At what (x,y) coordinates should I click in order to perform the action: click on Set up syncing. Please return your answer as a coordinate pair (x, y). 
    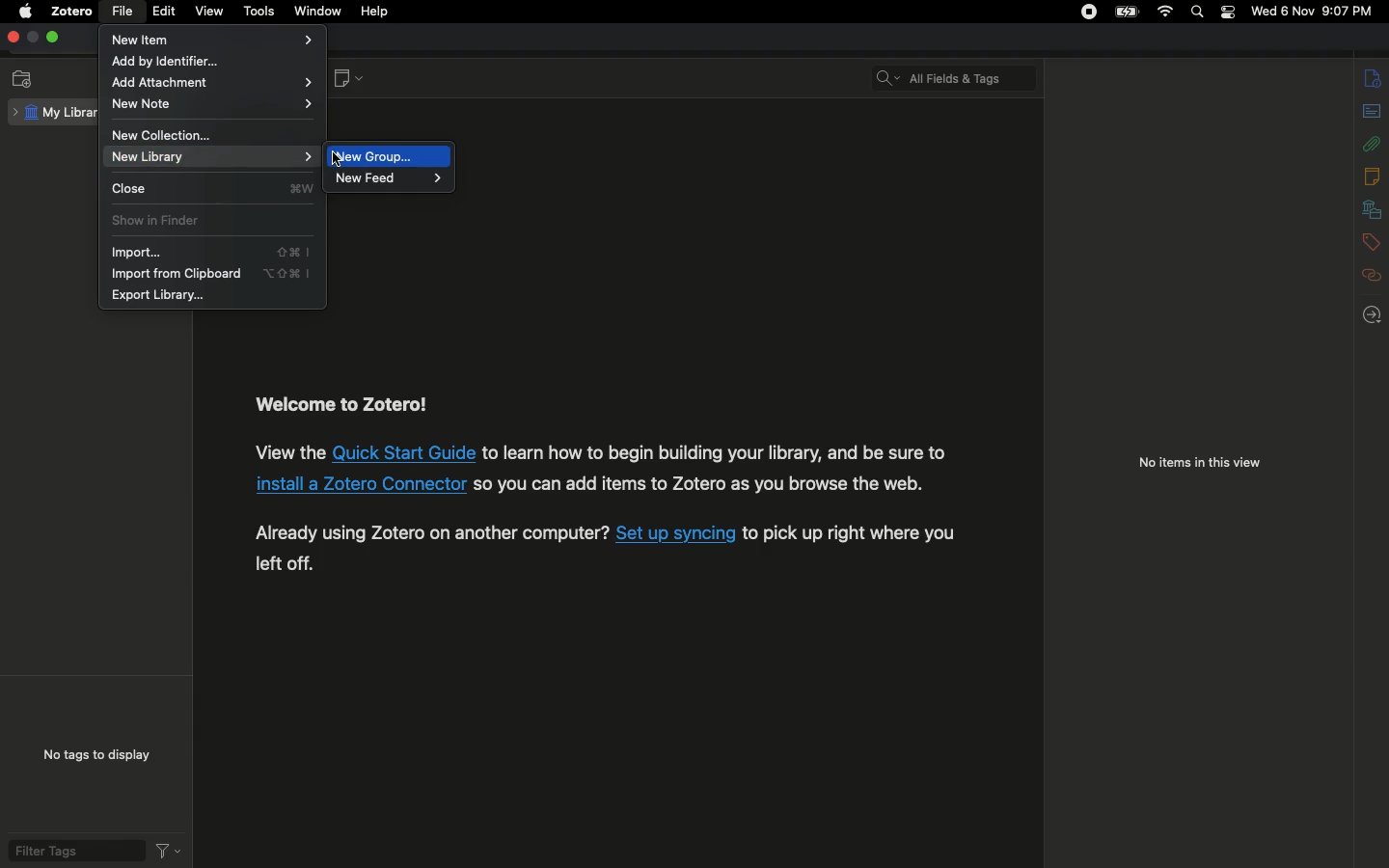
    Looking at the image, I should click on (676, 533).